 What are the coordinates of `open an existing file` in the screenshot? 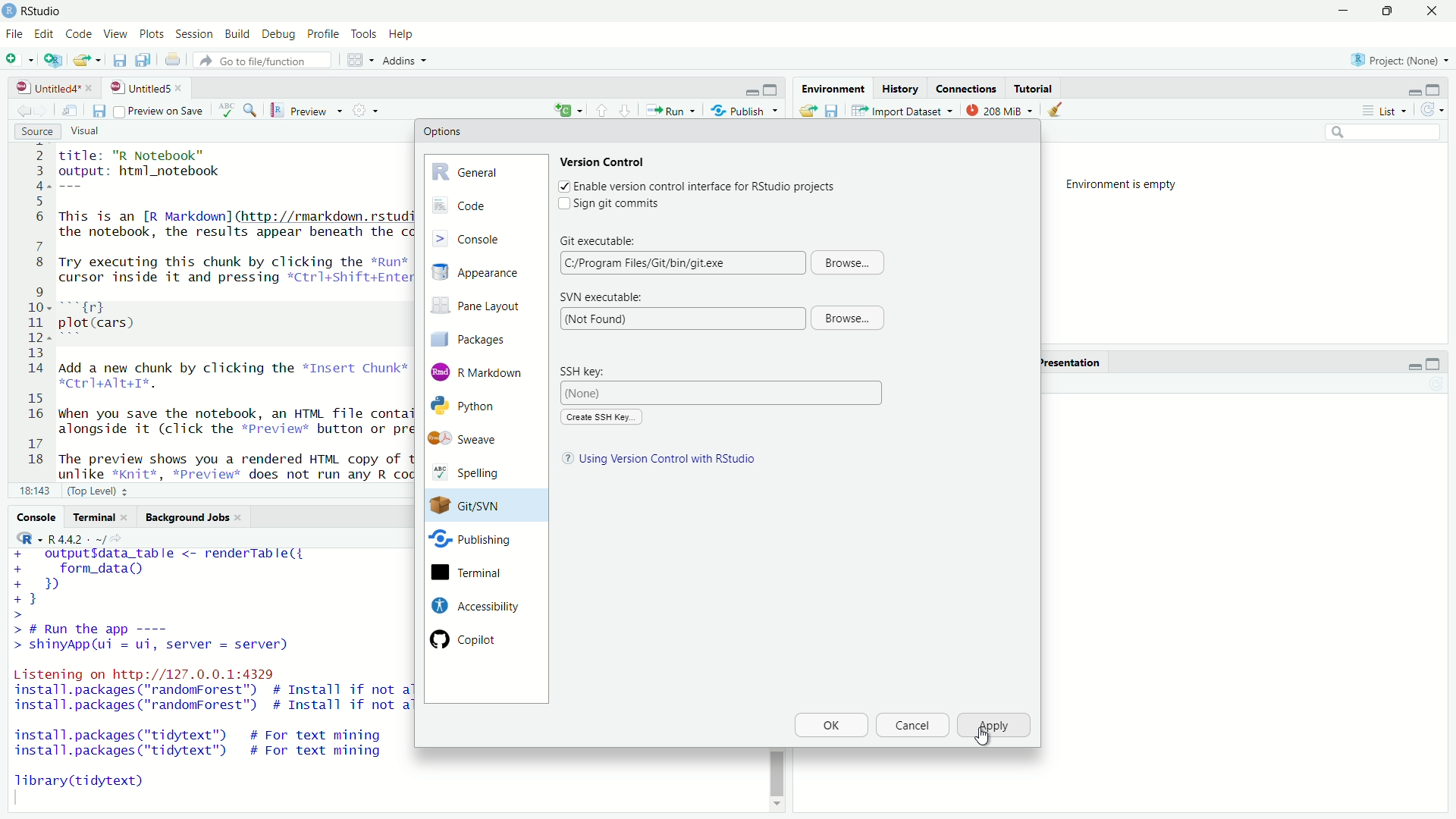 It's located at (88, 60).